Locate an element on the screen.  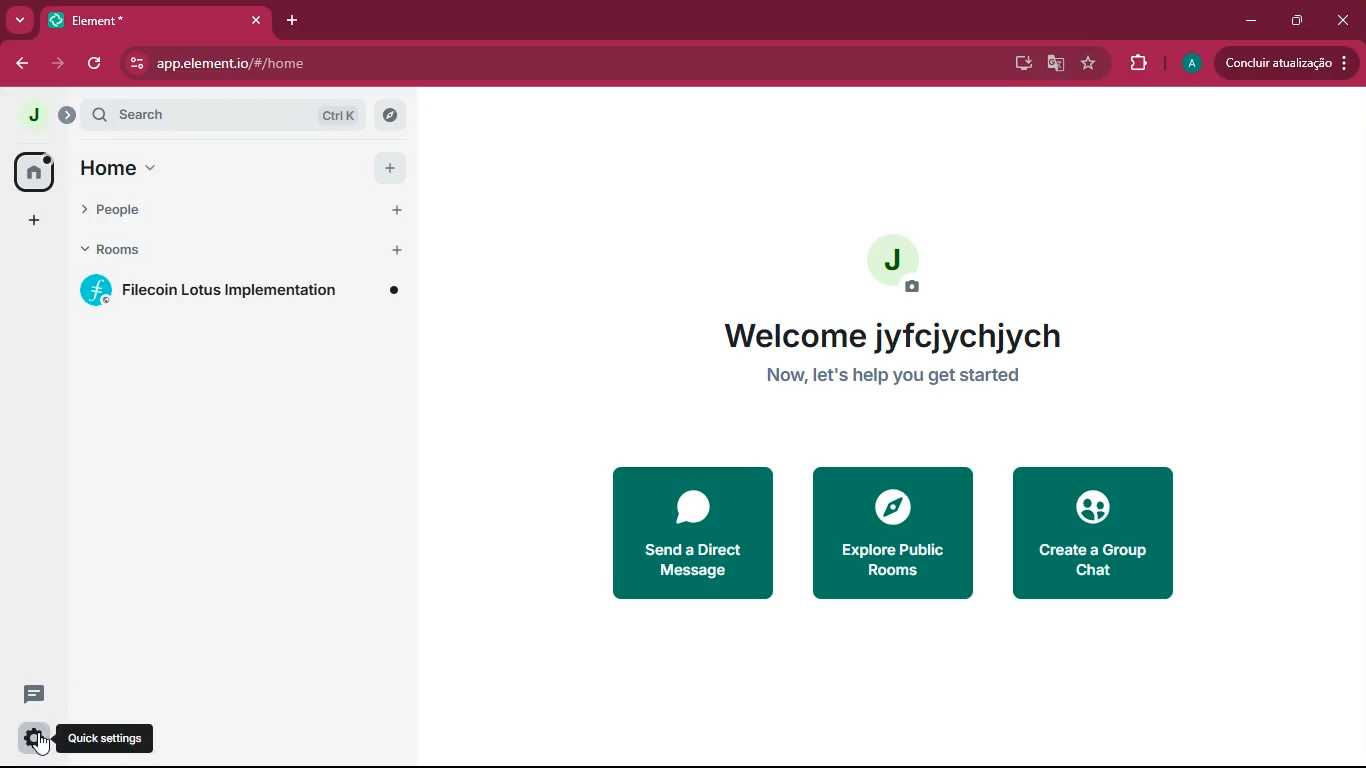
ctrl K is located at coordinates (340, 114).